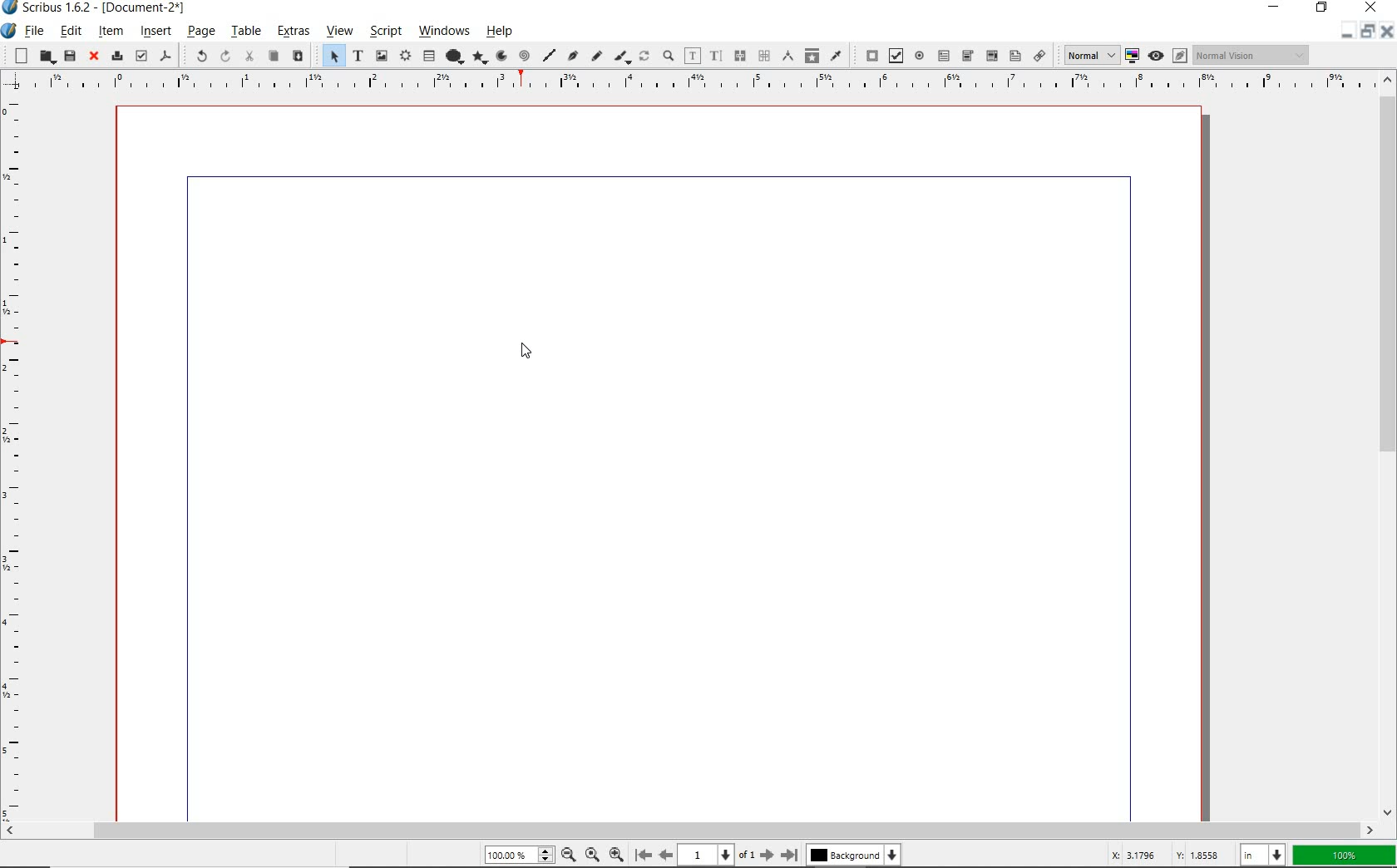 The height and width of the screenshot is (868, 1397). Describe the element at coordinates (19, 56) in the screenshot. I see `new` at that location.